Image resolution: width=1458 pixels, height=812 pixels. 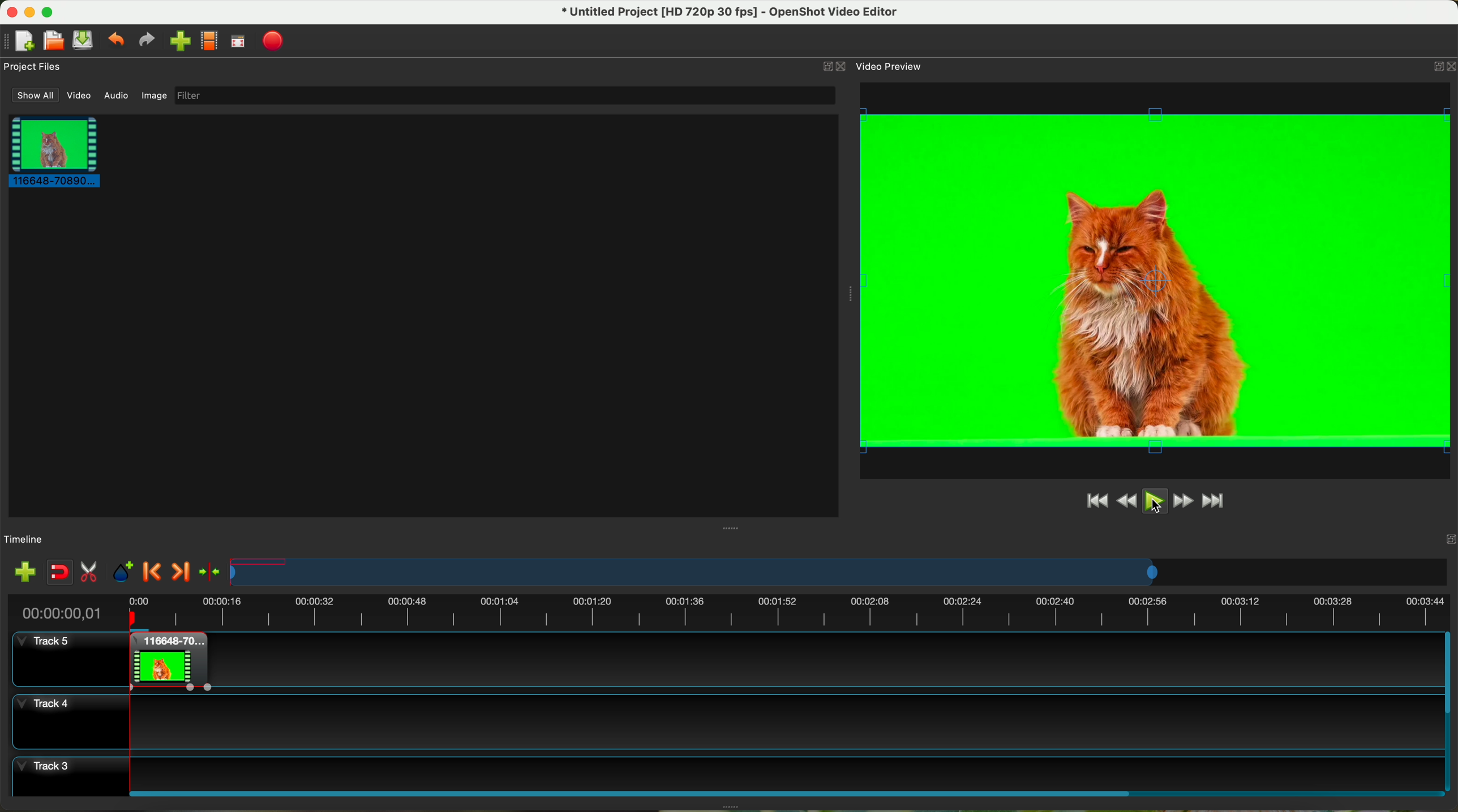 What do you see at coordinates (273, 42) in the screenshot?
I see `export video` at bounding box center [273, 42].